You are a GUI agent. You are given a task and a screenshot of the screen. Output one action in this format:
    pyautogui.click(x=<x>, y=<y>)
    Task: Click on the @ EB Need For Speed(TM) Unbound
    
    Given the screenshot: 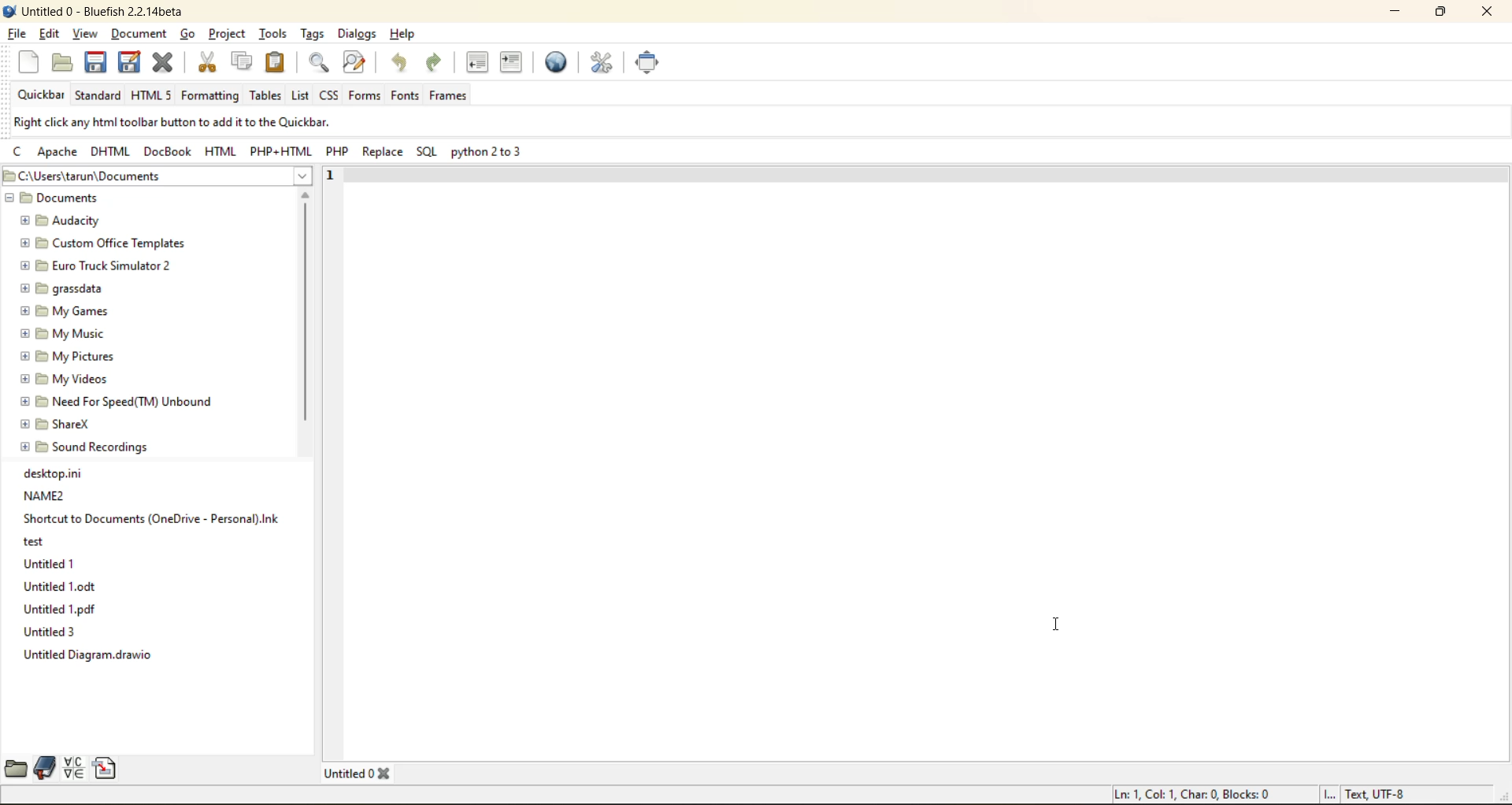 What is the action you would take?
    pyautogui.click(x=119, y=399)
    